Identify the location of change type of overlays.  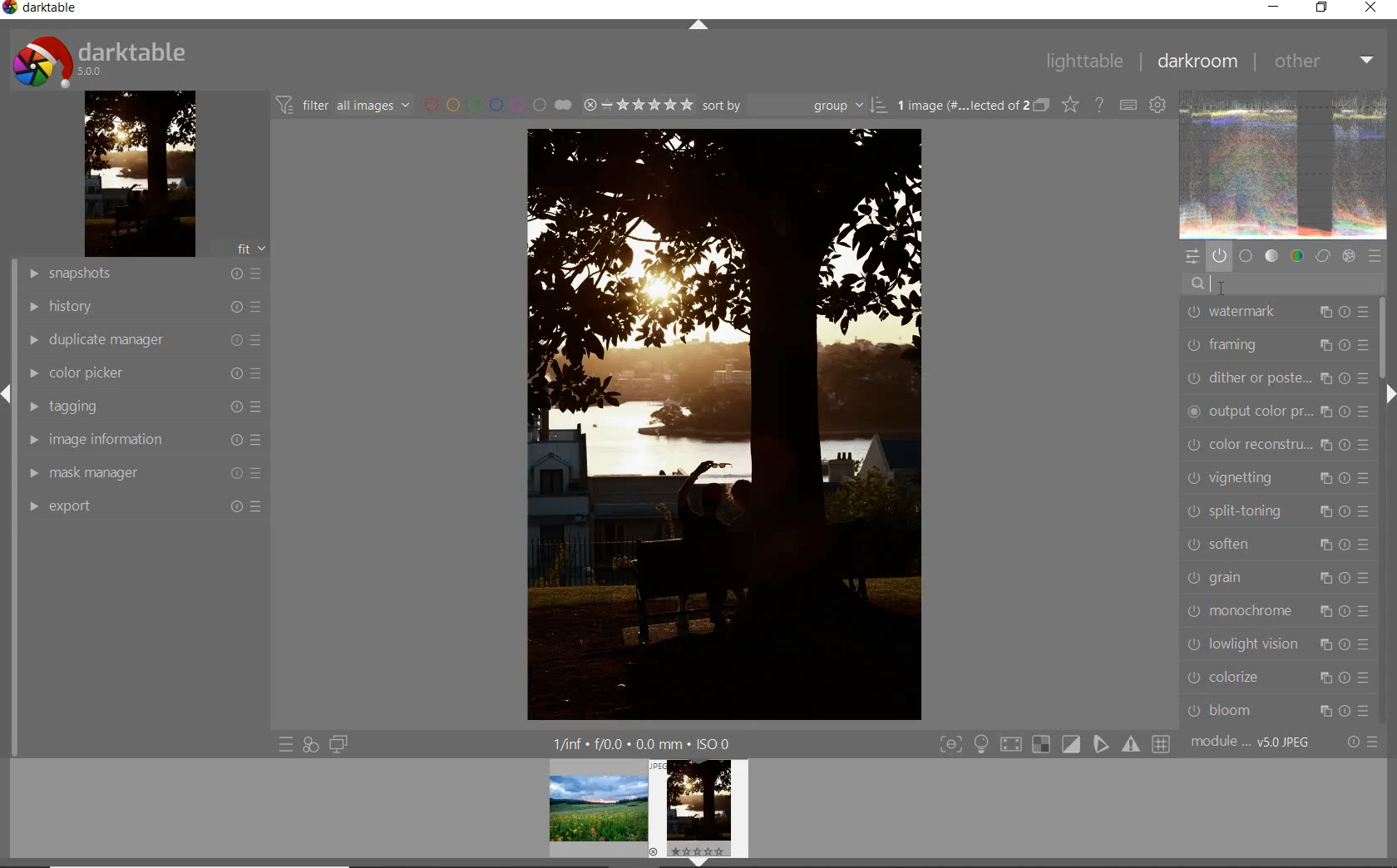
(1071, 104).